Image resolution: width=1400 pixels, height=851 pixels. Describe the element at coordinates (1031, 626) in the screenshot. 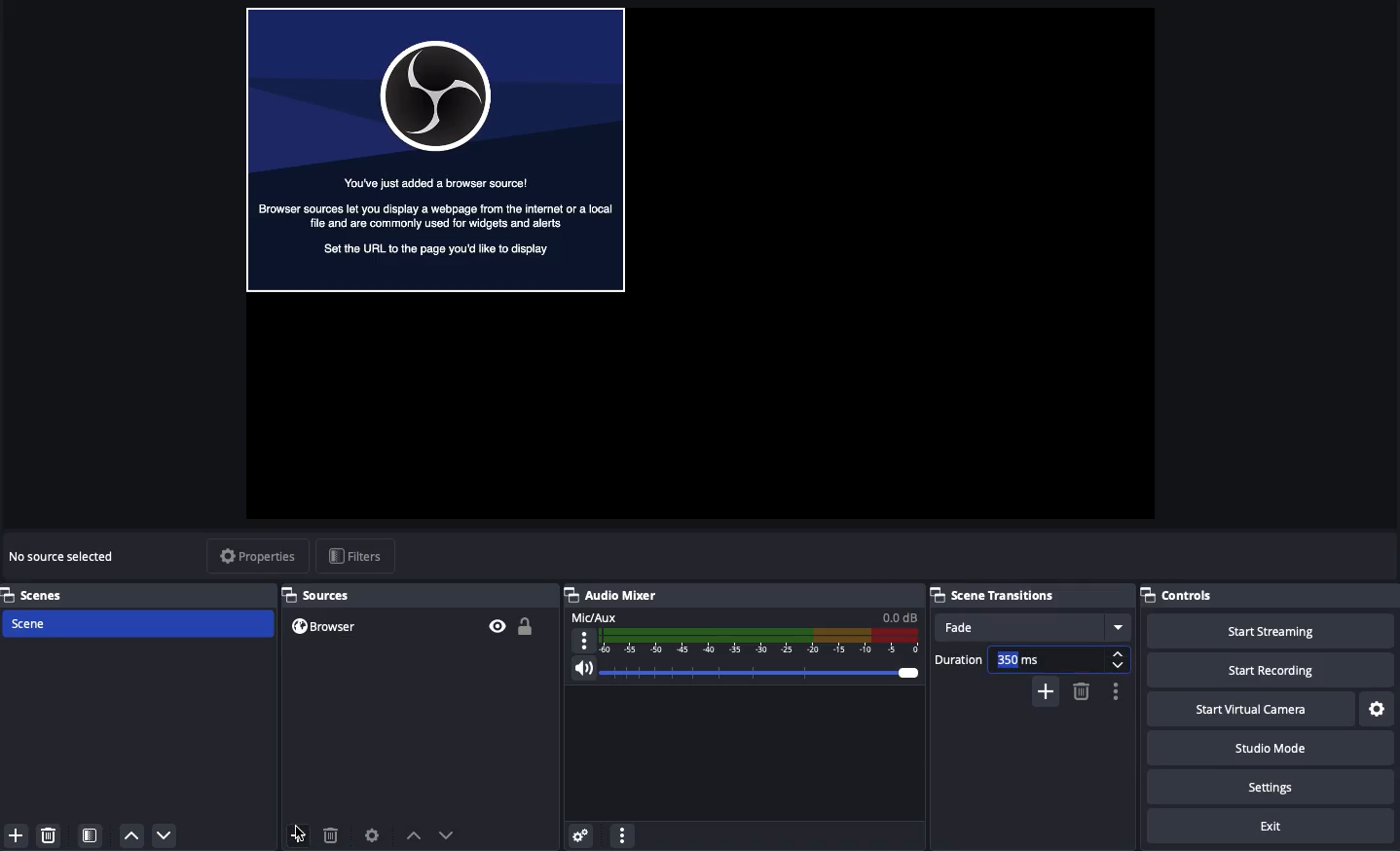

I see `Fade` at that location.